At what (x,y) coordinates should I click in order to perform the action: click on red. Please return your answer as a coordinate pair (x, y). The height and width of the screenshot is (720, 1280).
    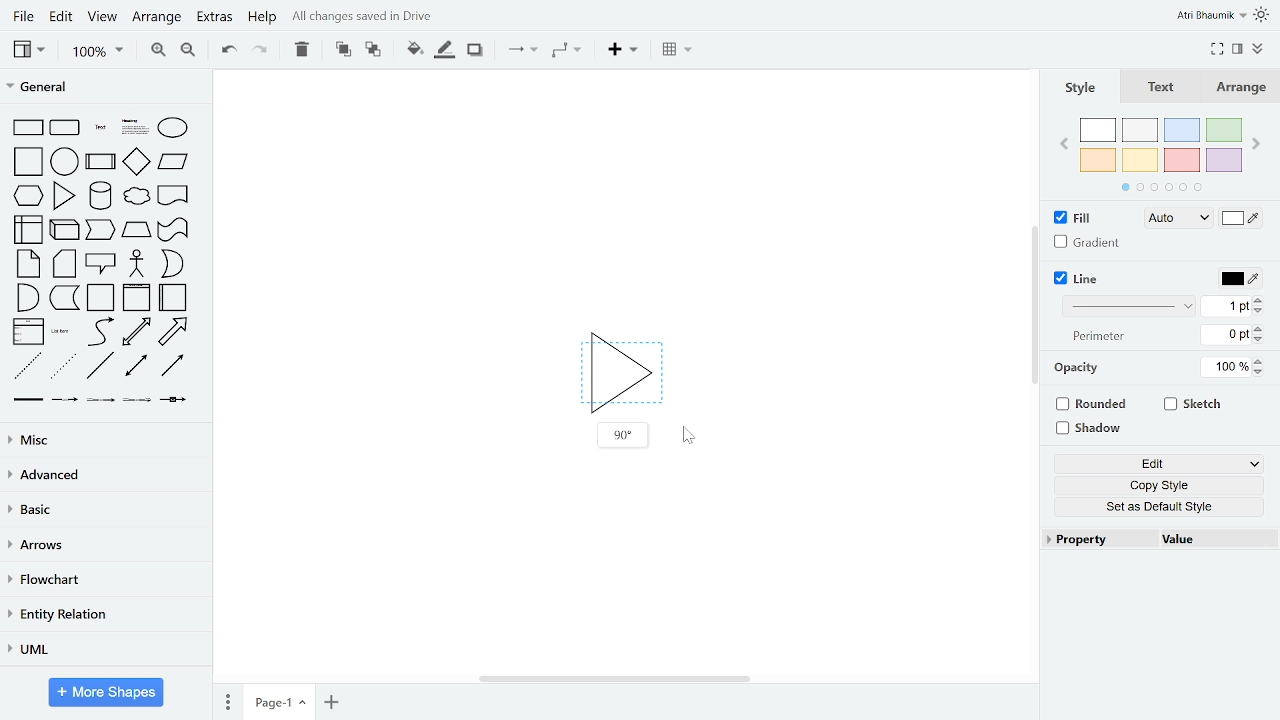
    Looking at the image, I should click on (1181, 161).